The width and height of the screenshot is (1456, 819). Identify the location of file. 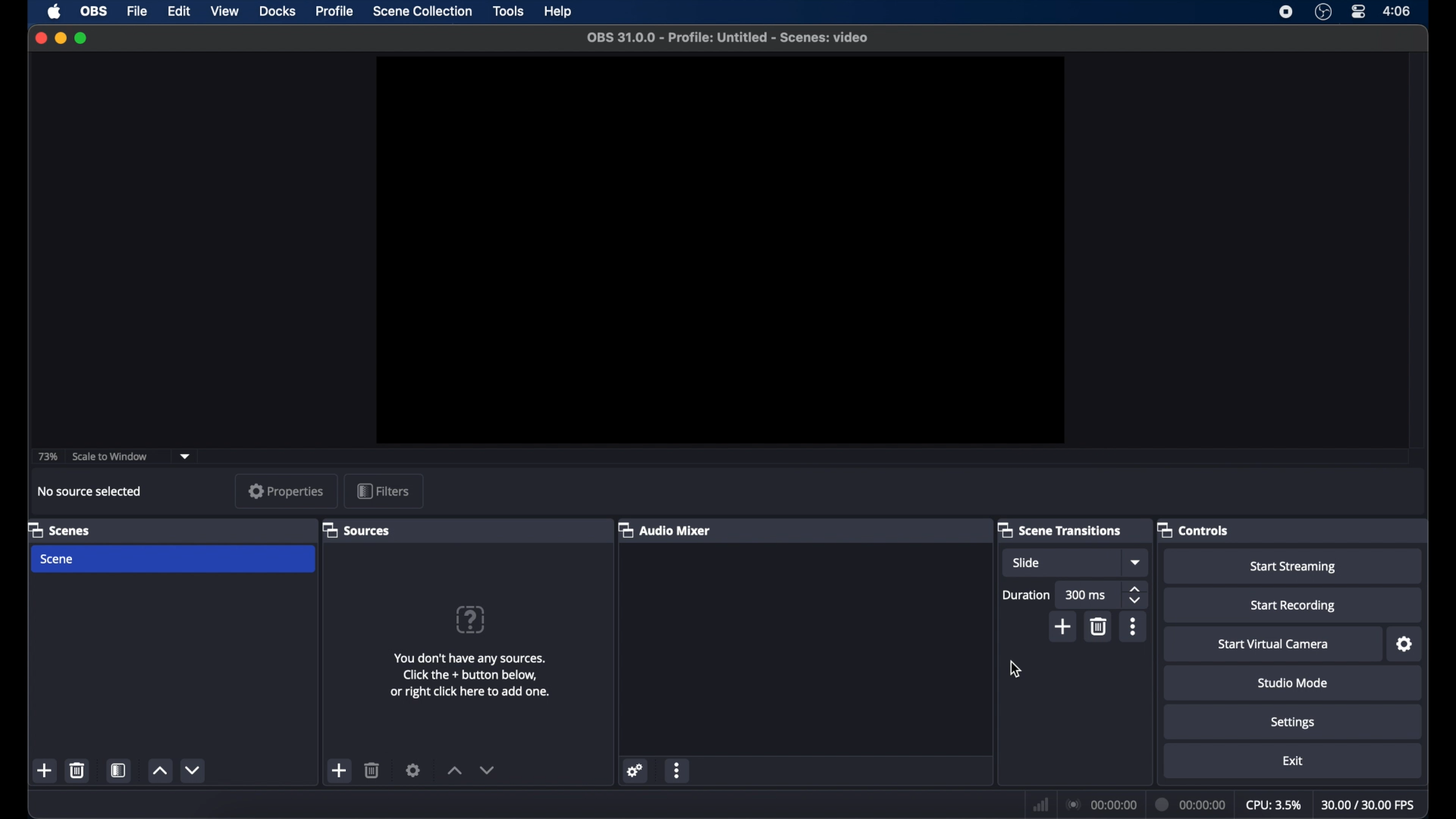
(137, 11).